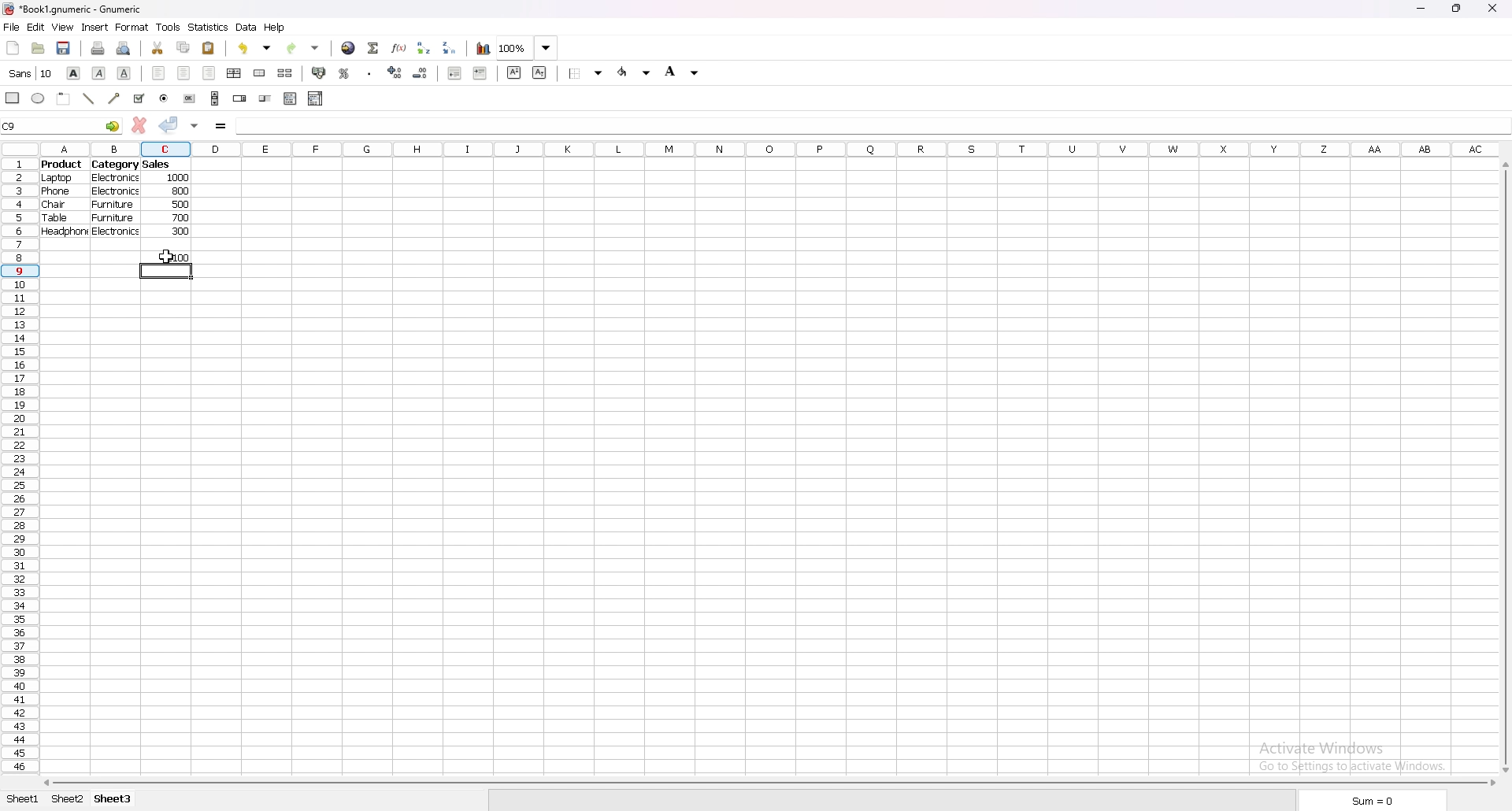  I want to click on minimize, so click(1421, 9).